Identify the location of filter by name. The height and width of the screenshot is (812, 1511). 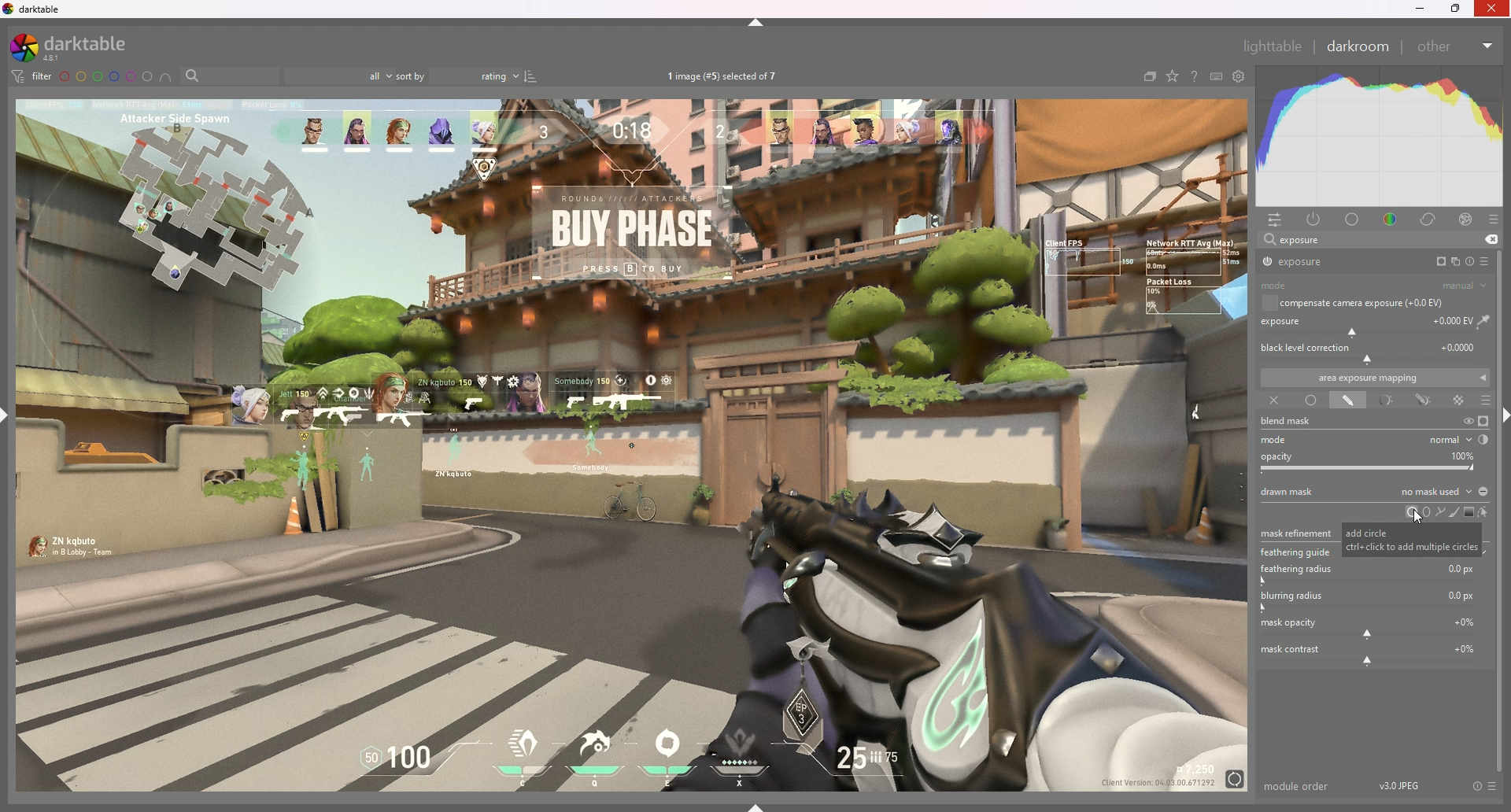
(230, 75).